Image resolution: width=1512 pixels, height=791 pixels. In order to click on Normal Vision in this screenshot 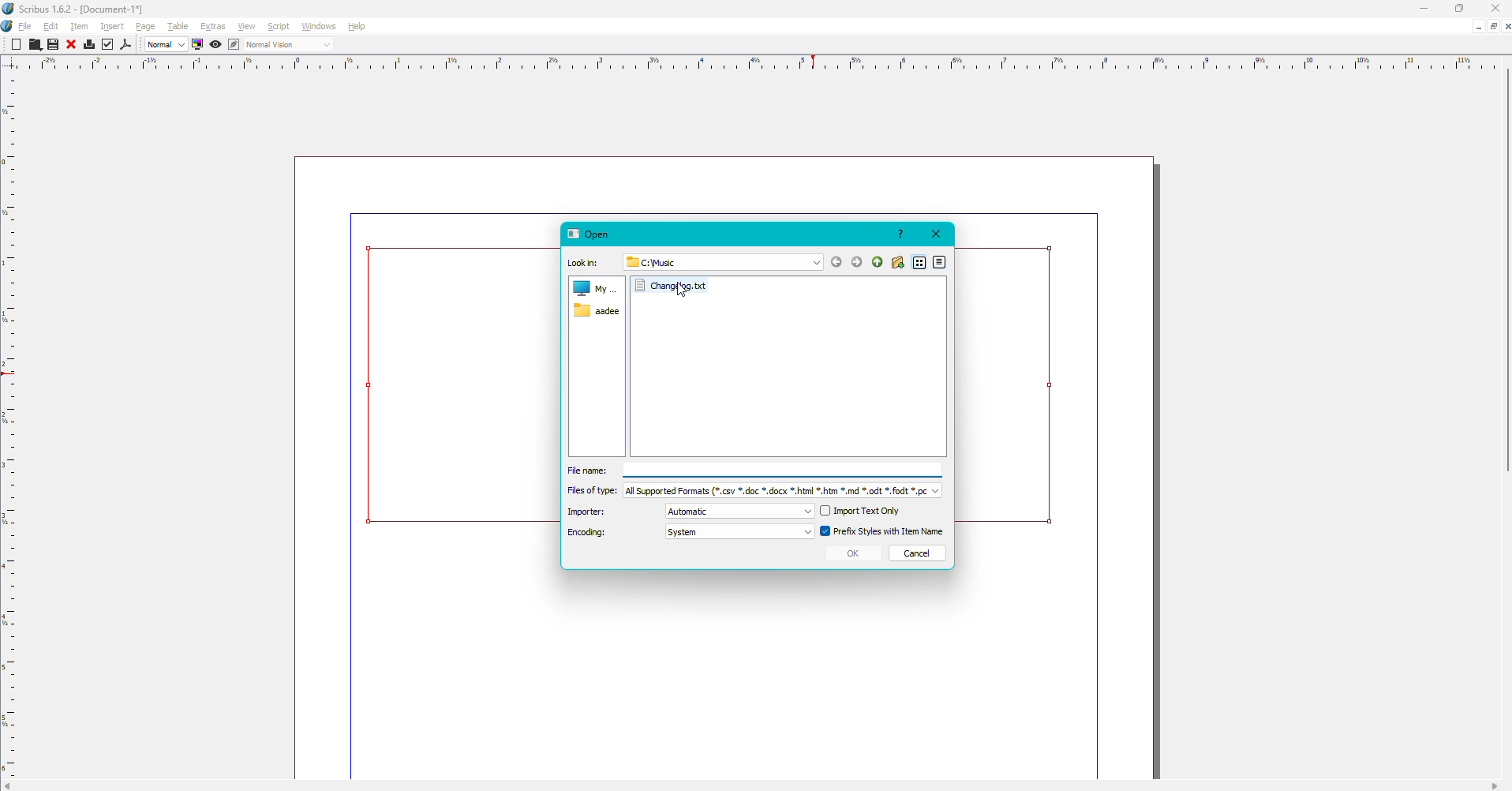, I will do `click(283, 45)`.